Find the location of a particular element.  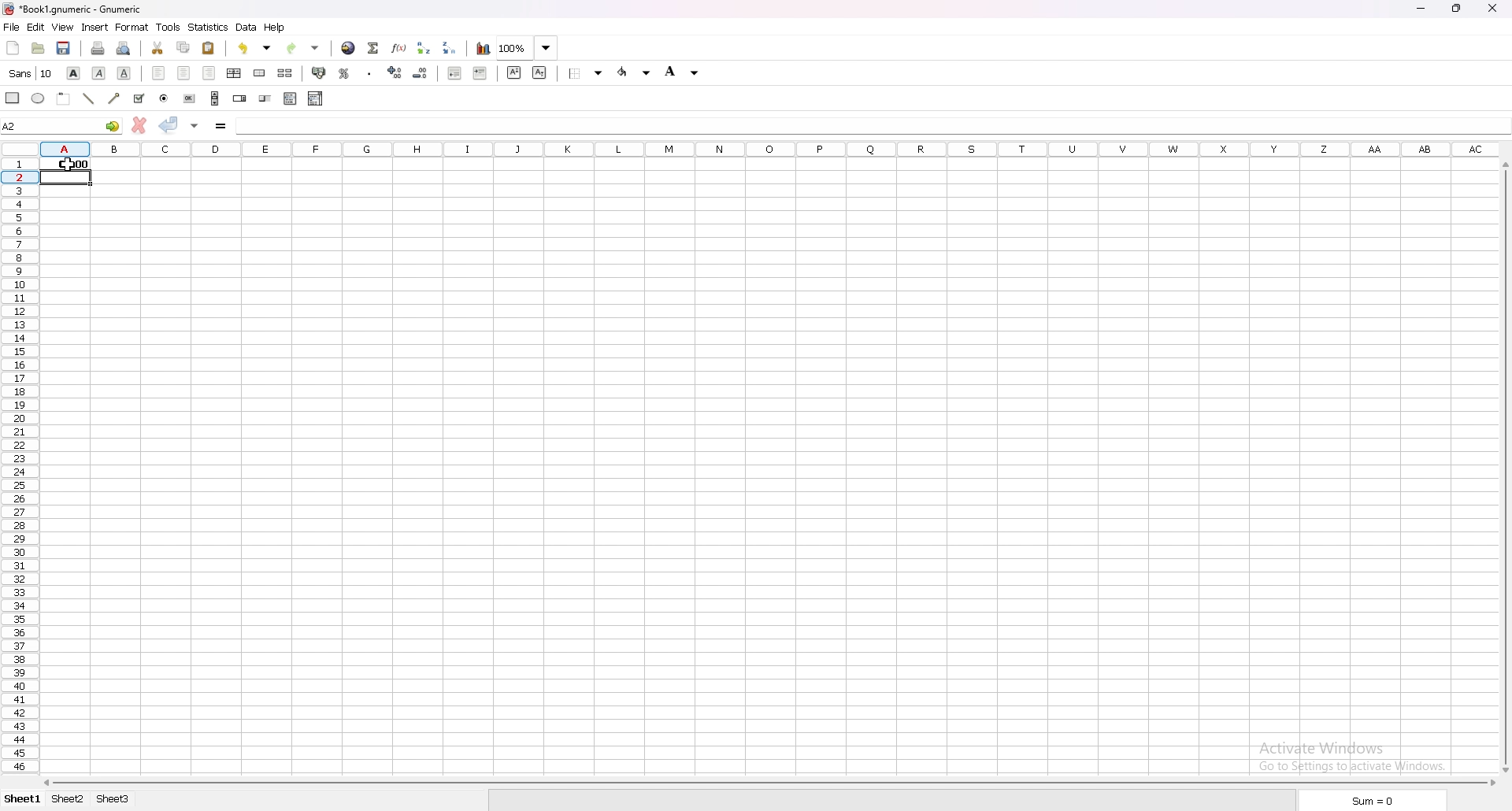

foreground is located at coordinates (681, 72).